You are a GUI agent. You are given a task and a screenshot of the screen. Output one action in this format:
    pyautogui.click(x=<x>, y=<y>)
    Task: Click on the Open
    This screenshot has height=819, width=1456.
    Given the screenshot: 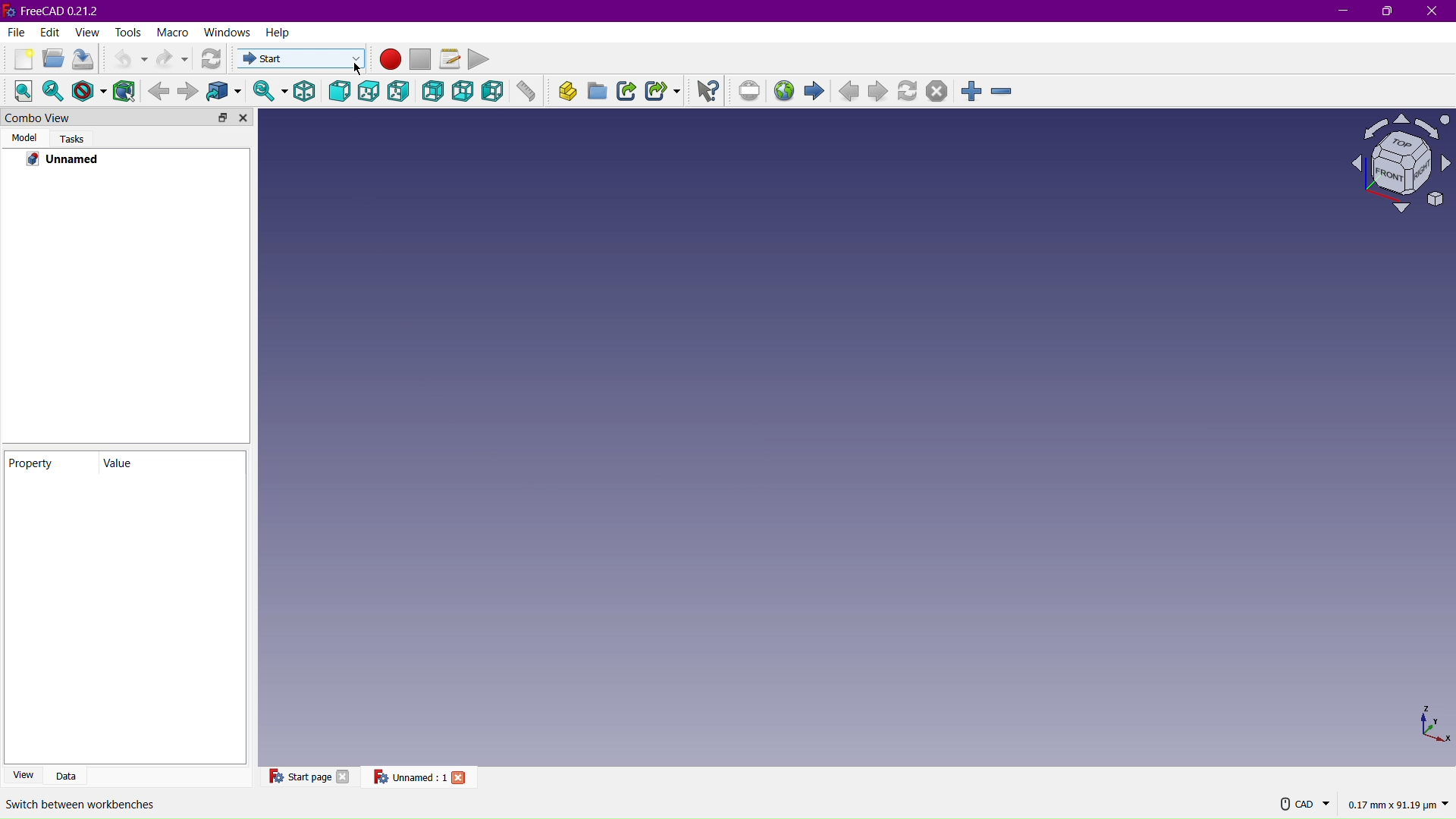 What is the action you would take?
    pyautogui.click(x=50, y=61)
    